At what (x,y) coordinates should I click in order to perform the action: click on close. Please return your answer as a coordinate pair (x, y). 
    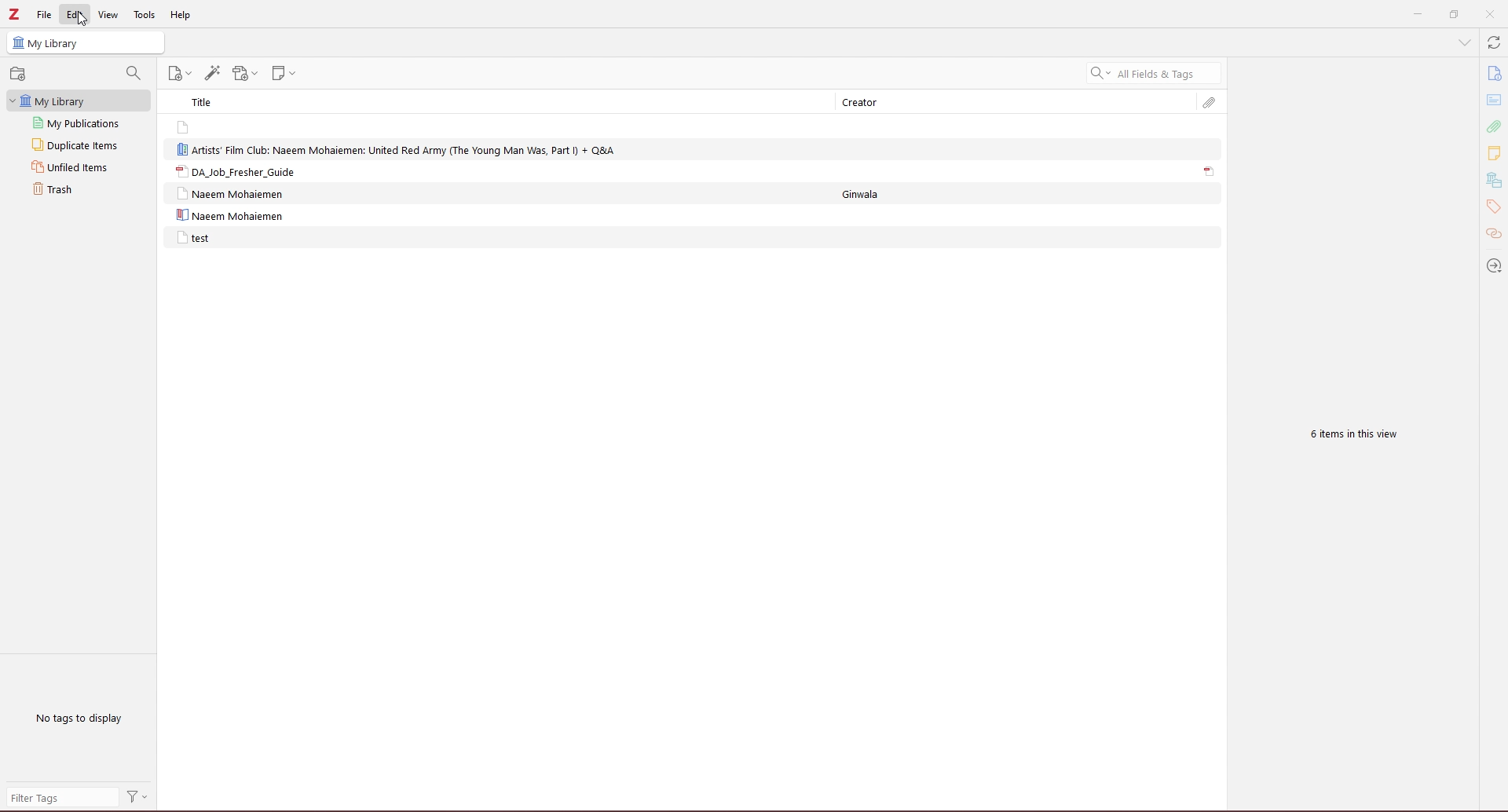
    Looking at the image, I should click on (1490, 14).